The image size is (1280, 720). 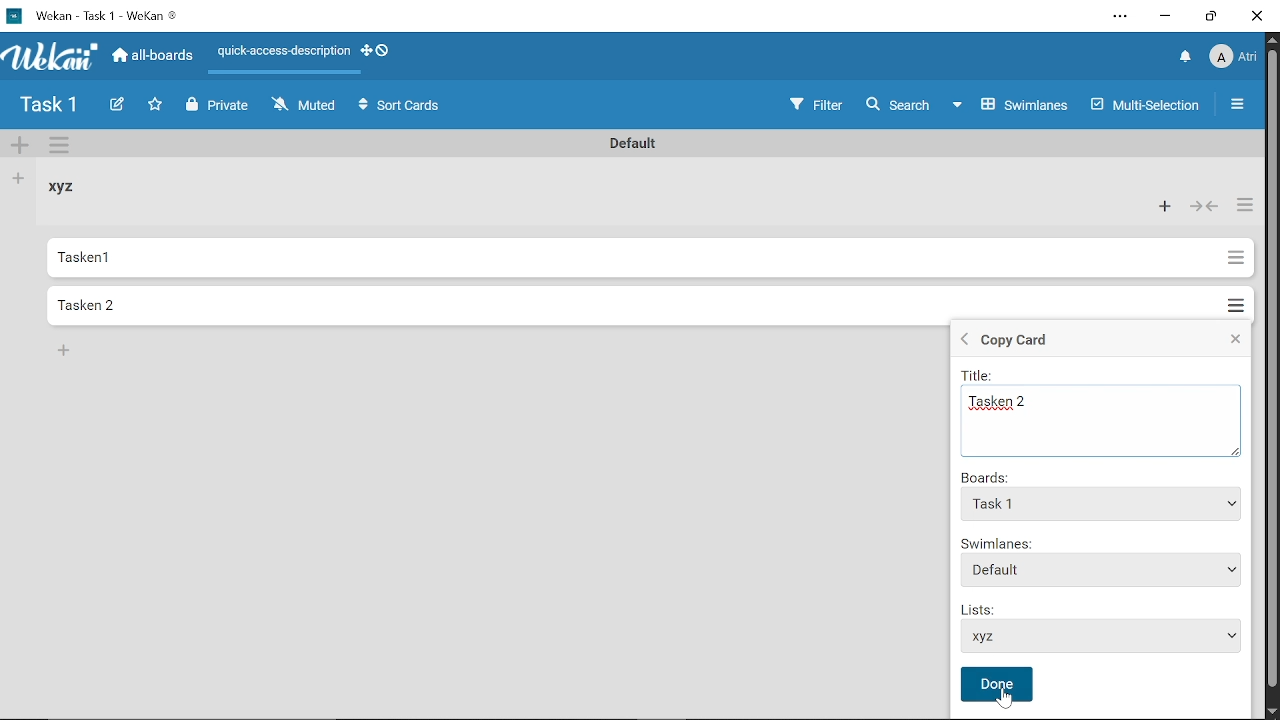 What do you see at coordinates (1202, 207) in the screenshot?
I see `Collapse` at bounding box center [1202, 207].